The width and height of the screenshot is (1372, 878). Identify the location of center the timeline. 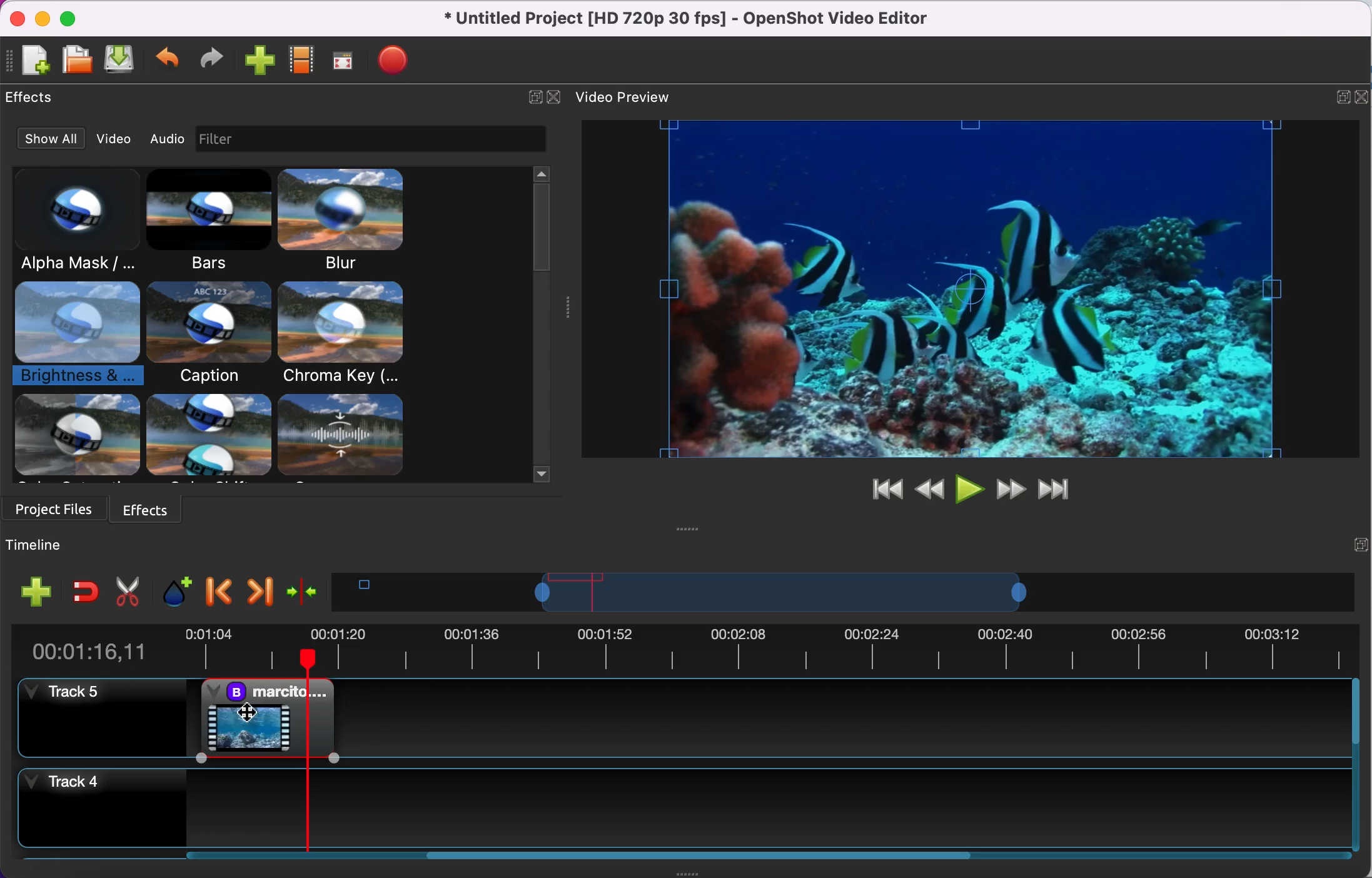
(303, 590).